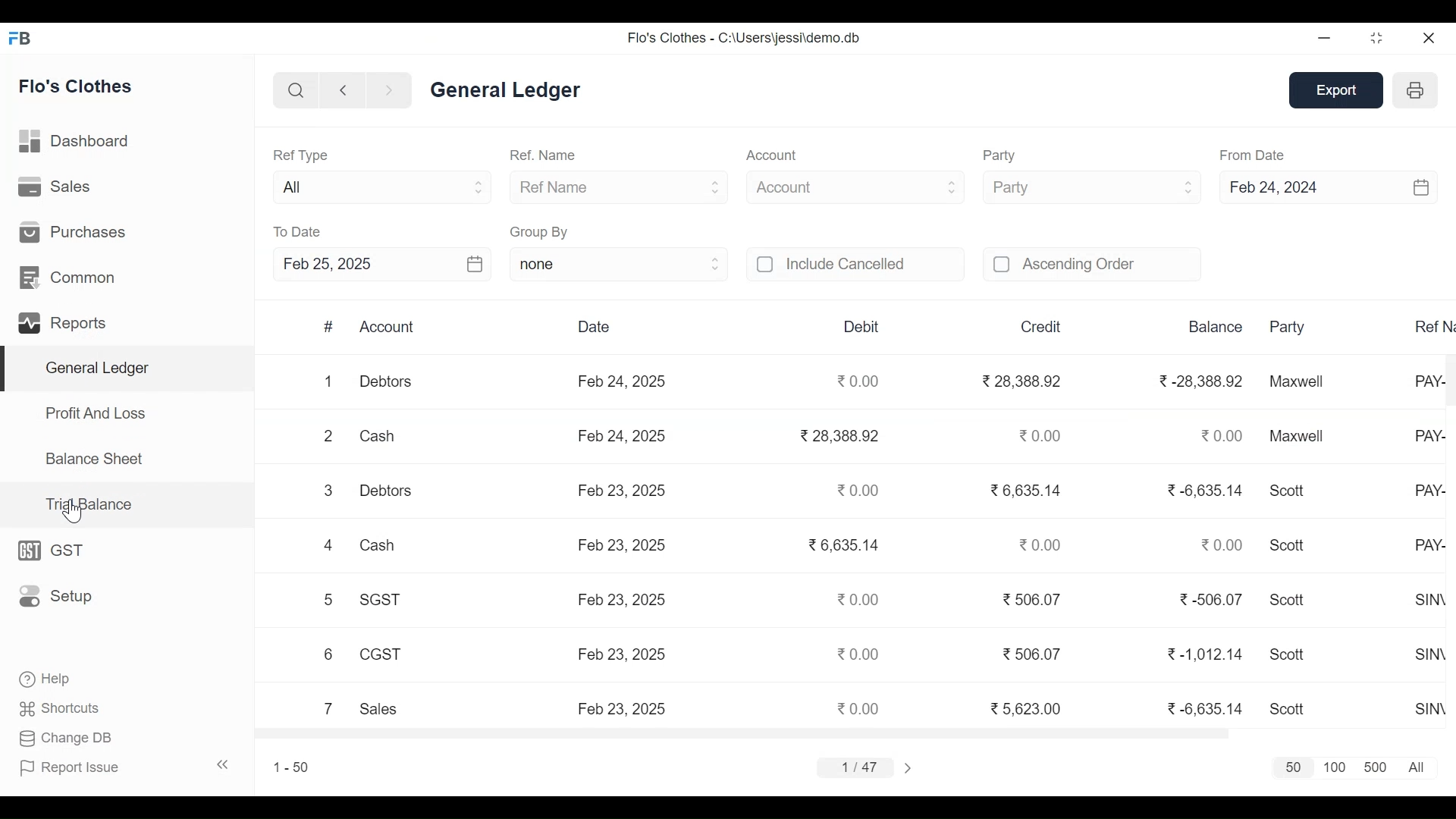  I want to click on Scott, so click(1288, 544).